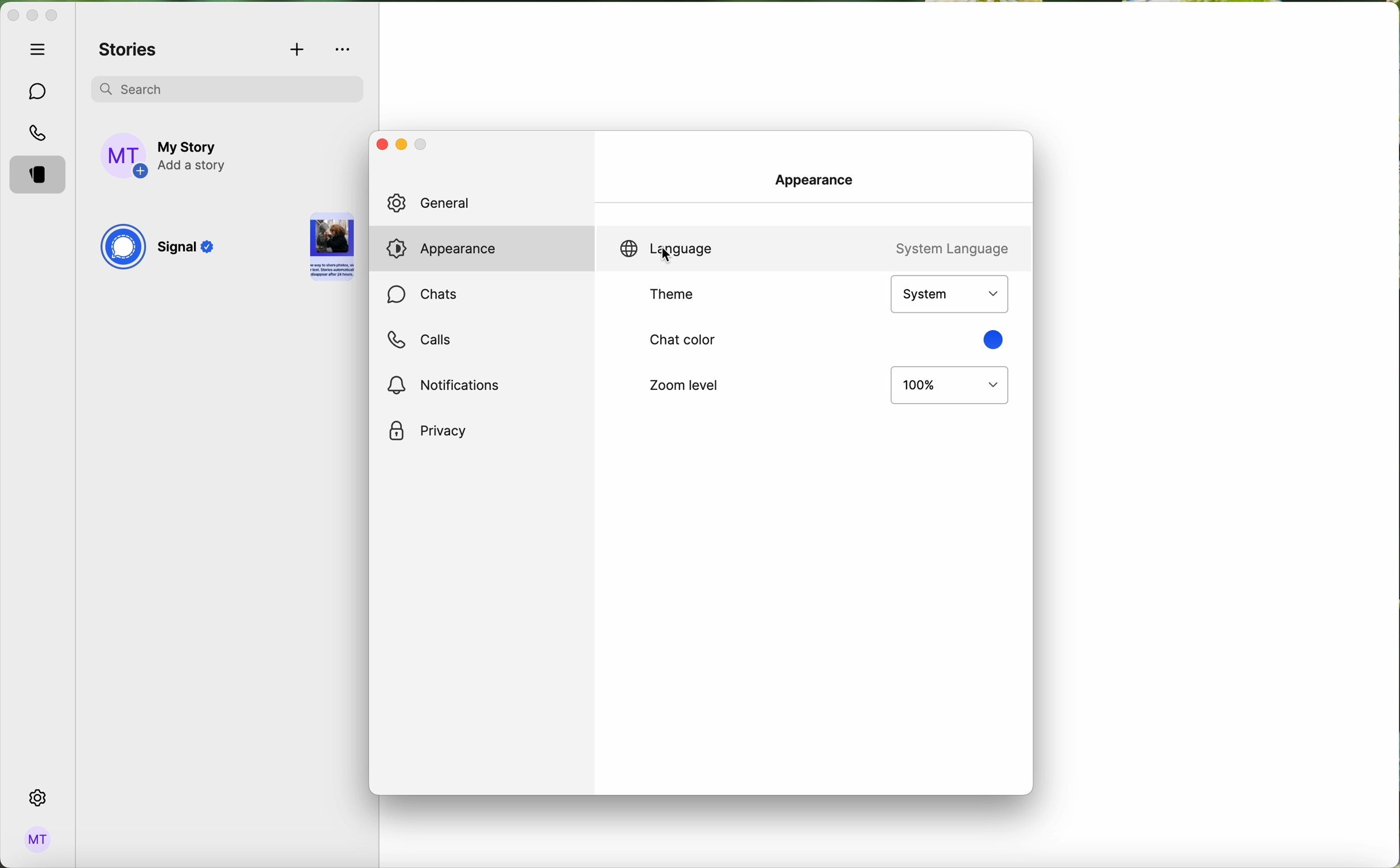 The image size is (1400, 868). I want to click on hide tabs, so click(41, 49).